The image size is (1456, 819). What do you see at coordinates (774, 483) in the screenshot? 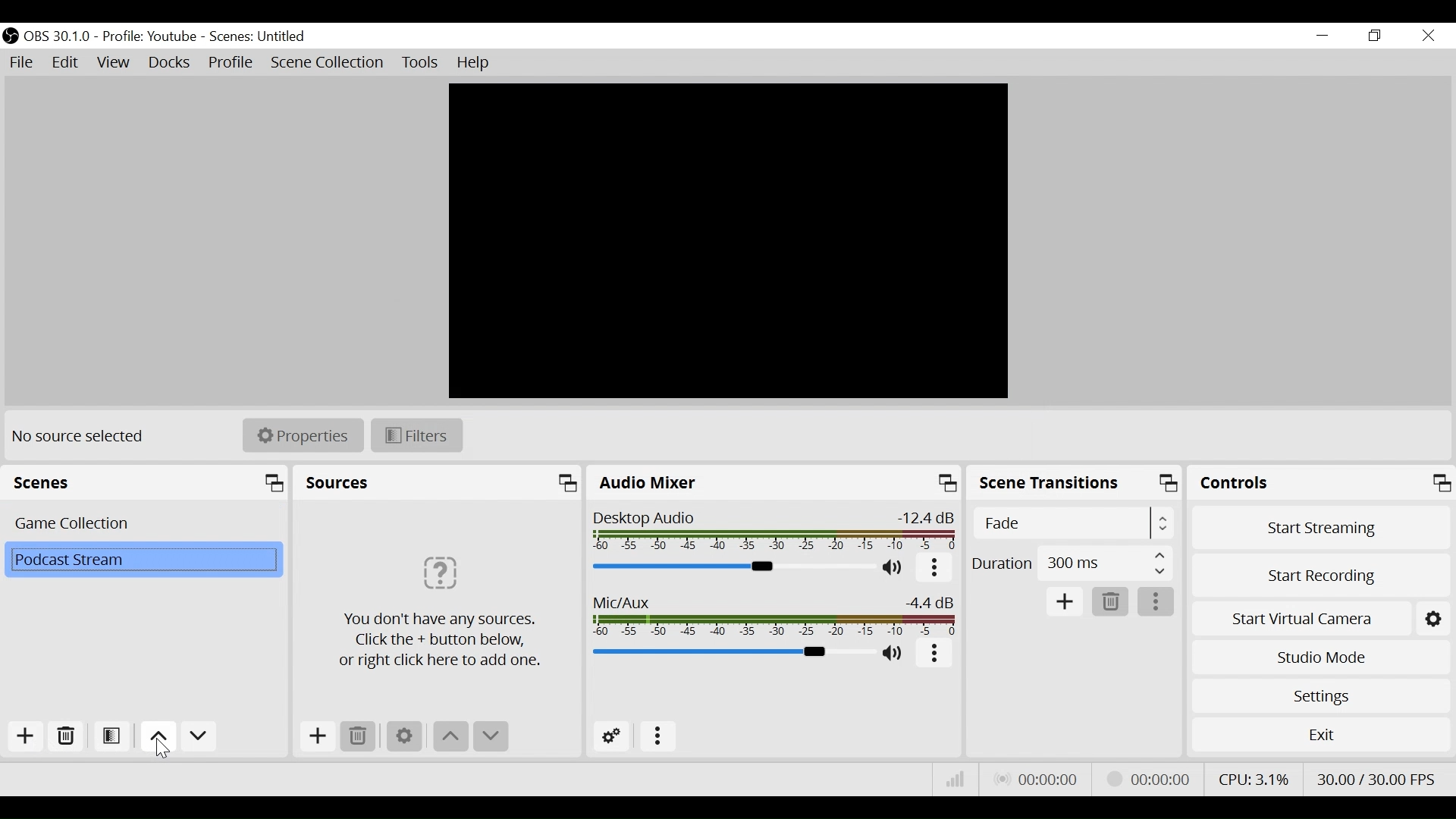
I see `Audio Mixer` at bounding box center [774, 483].